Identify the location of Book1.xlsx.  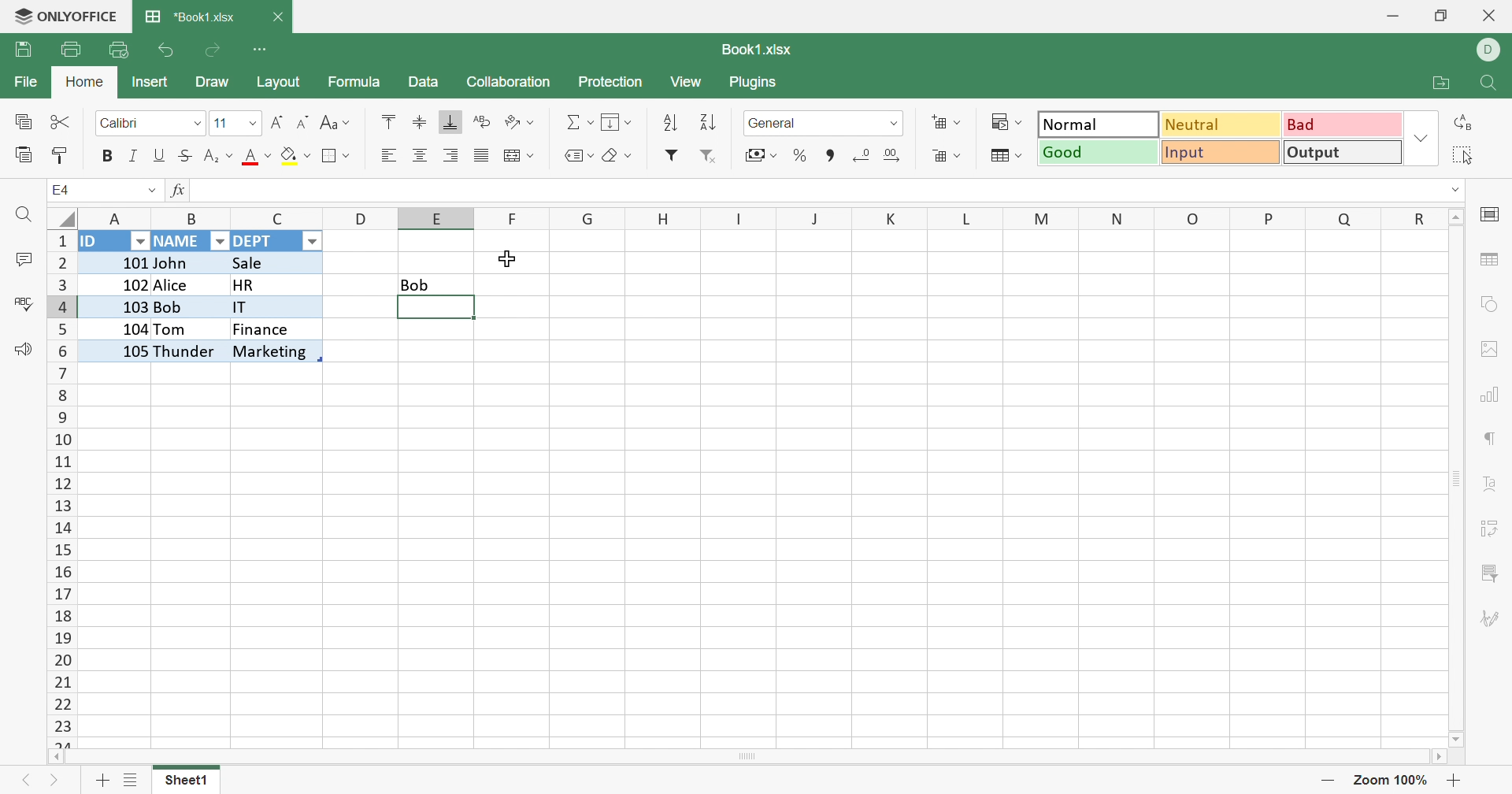
(764, 51).